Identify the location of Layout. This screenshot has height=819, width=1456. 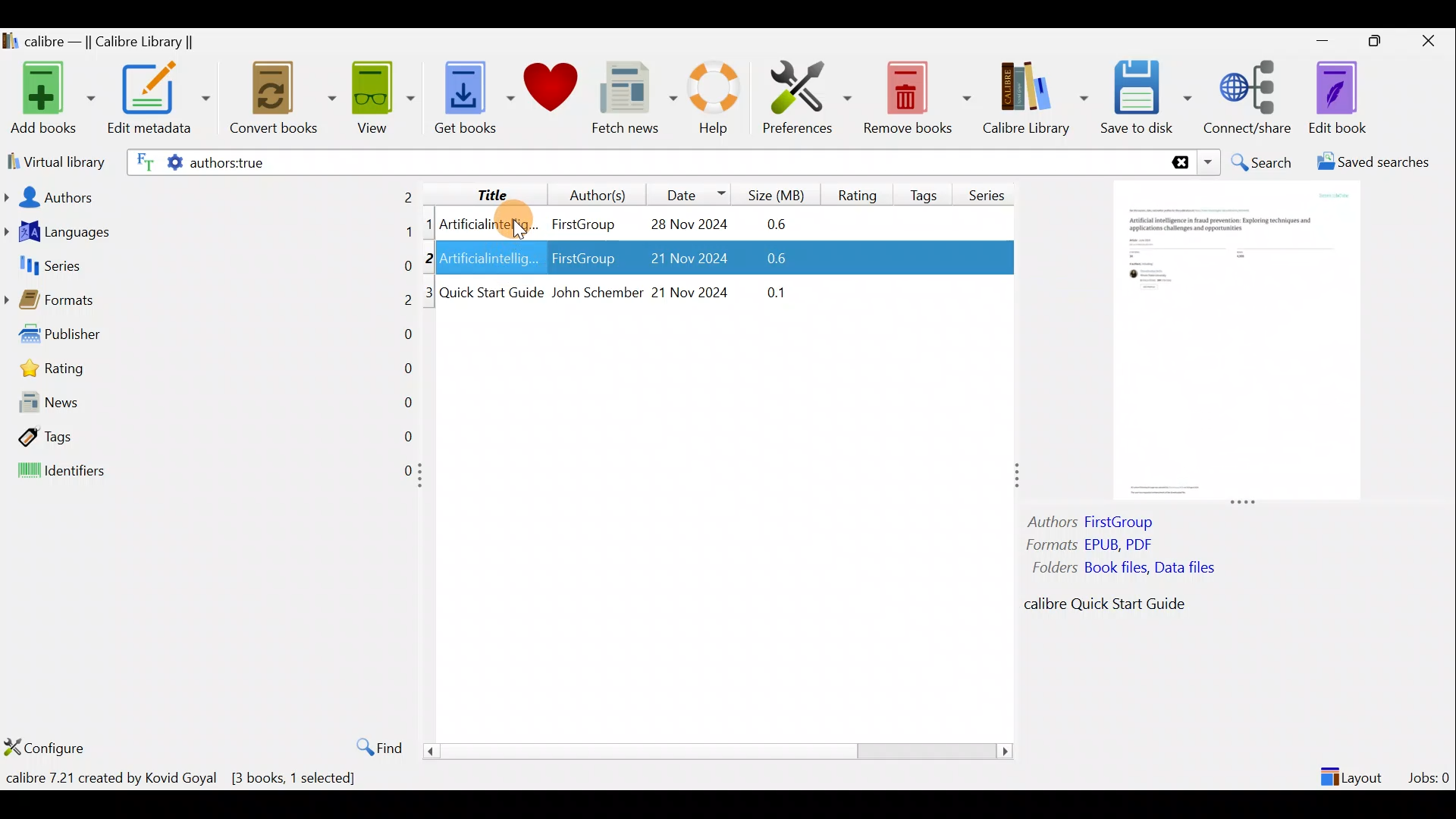
(1354, 770).